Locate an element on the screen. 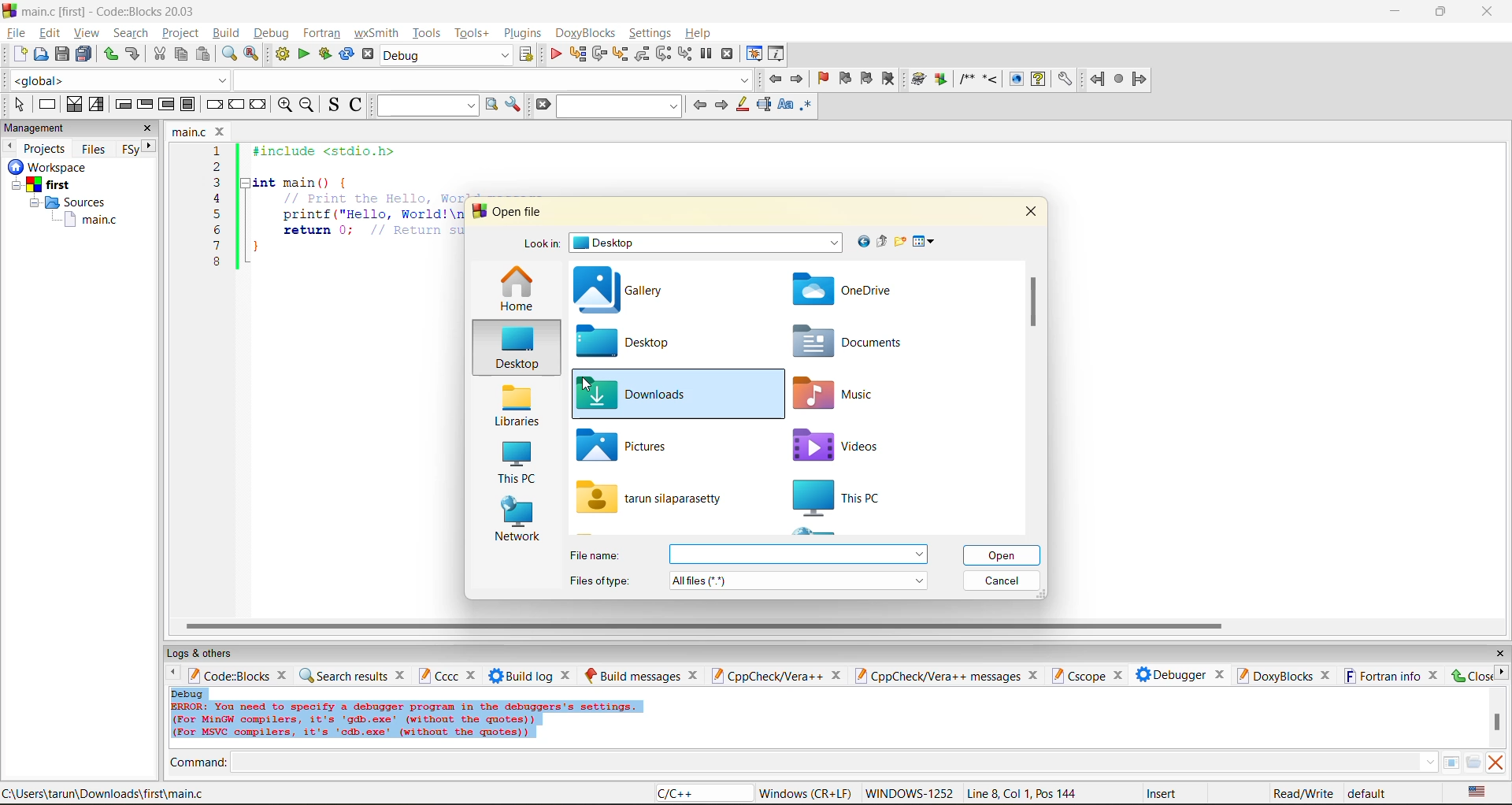 This screenshot has height=805, width=1512. jump back is located at coordinates (773, 79).